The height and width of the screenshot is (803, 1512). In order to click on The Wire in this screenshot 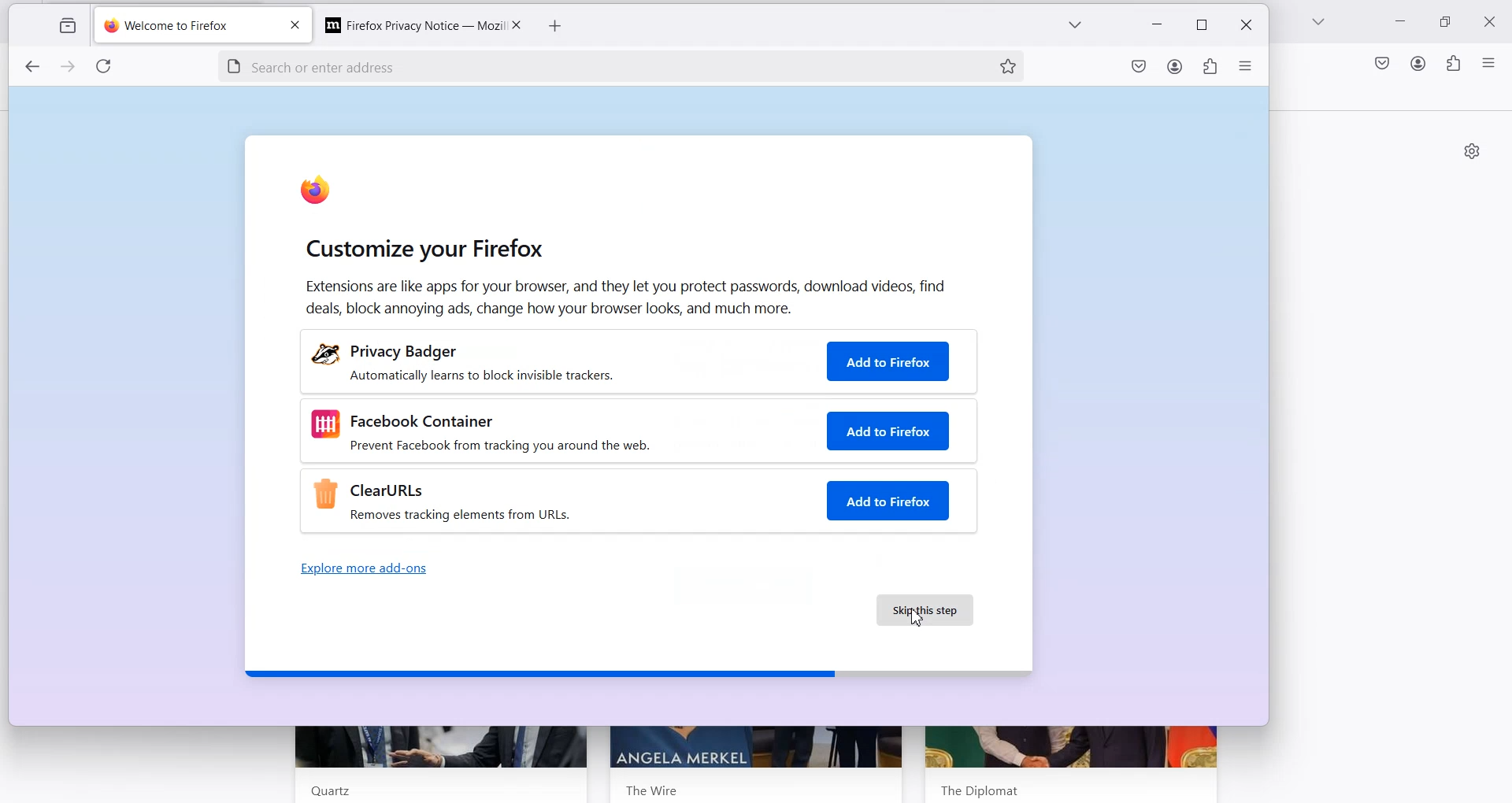, I will do `click(654, 787)`.